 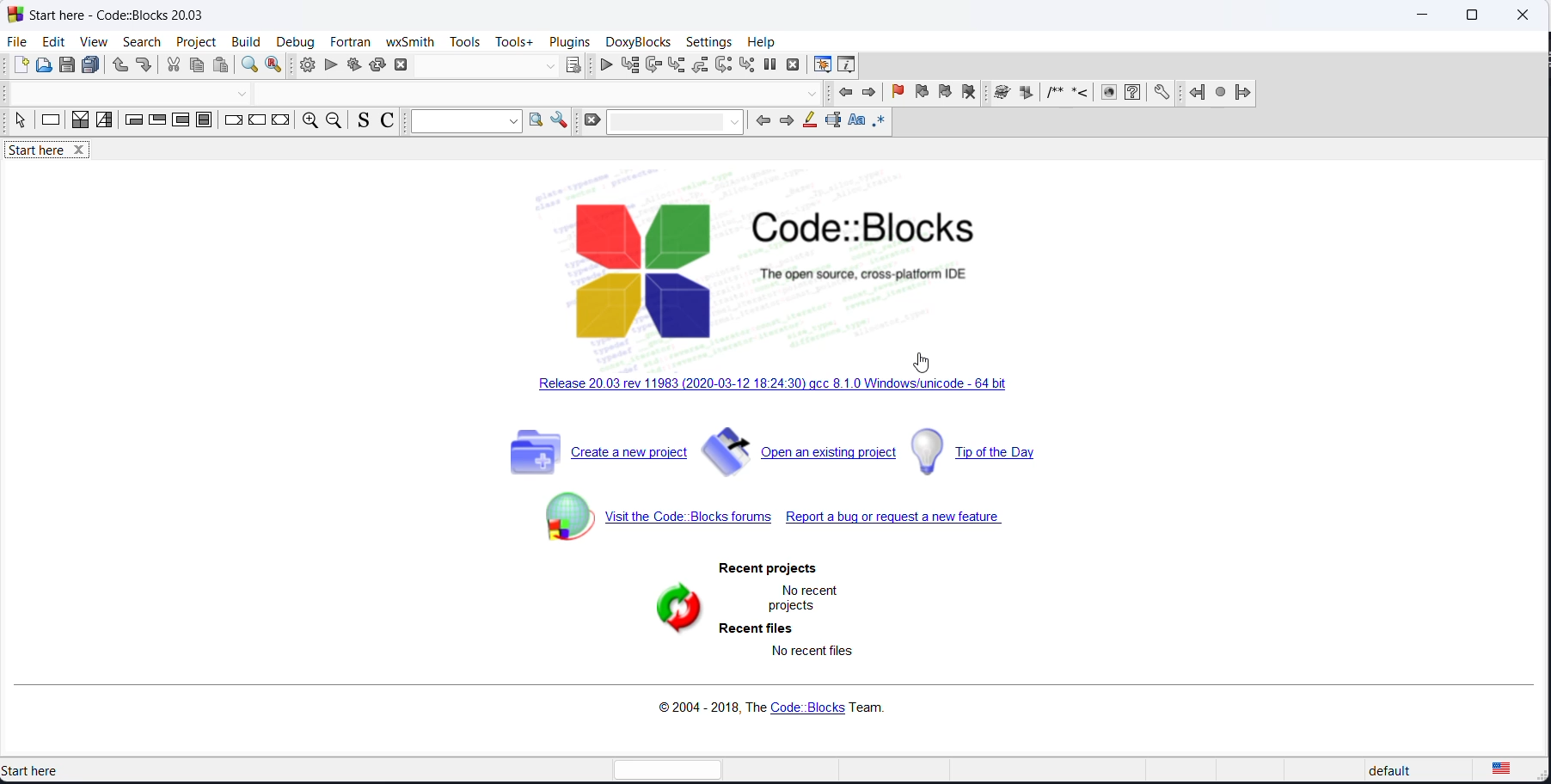 What do you see at coordinates (512, 43) in the screenshot?
I see `tools+` at bounding box center [512, 43].